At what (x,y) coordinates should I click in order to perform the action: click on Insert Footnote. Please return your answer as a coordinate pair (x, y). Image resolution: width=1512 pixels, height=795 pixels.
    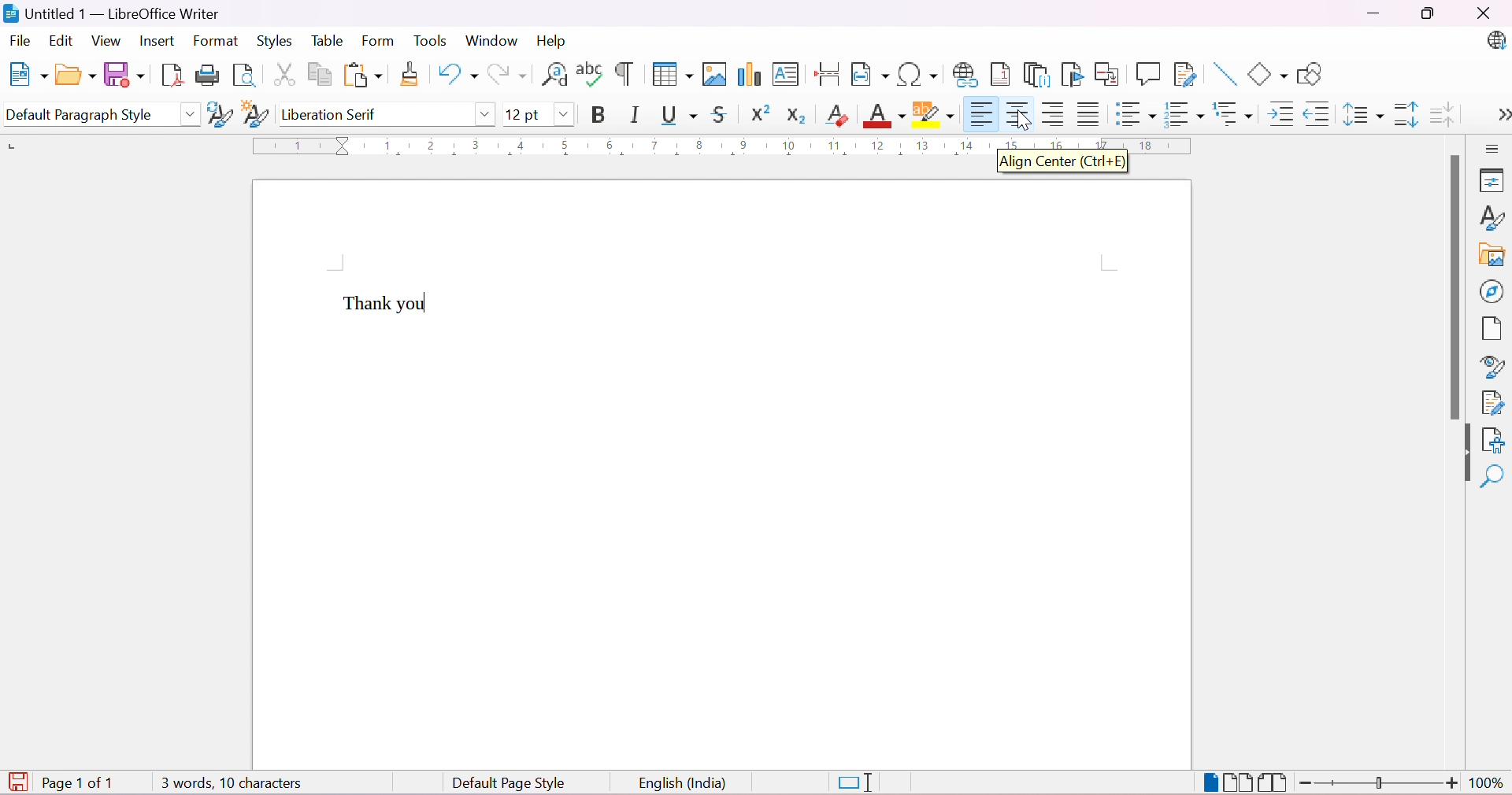
    Looking at the image, I should click on (999, 75).